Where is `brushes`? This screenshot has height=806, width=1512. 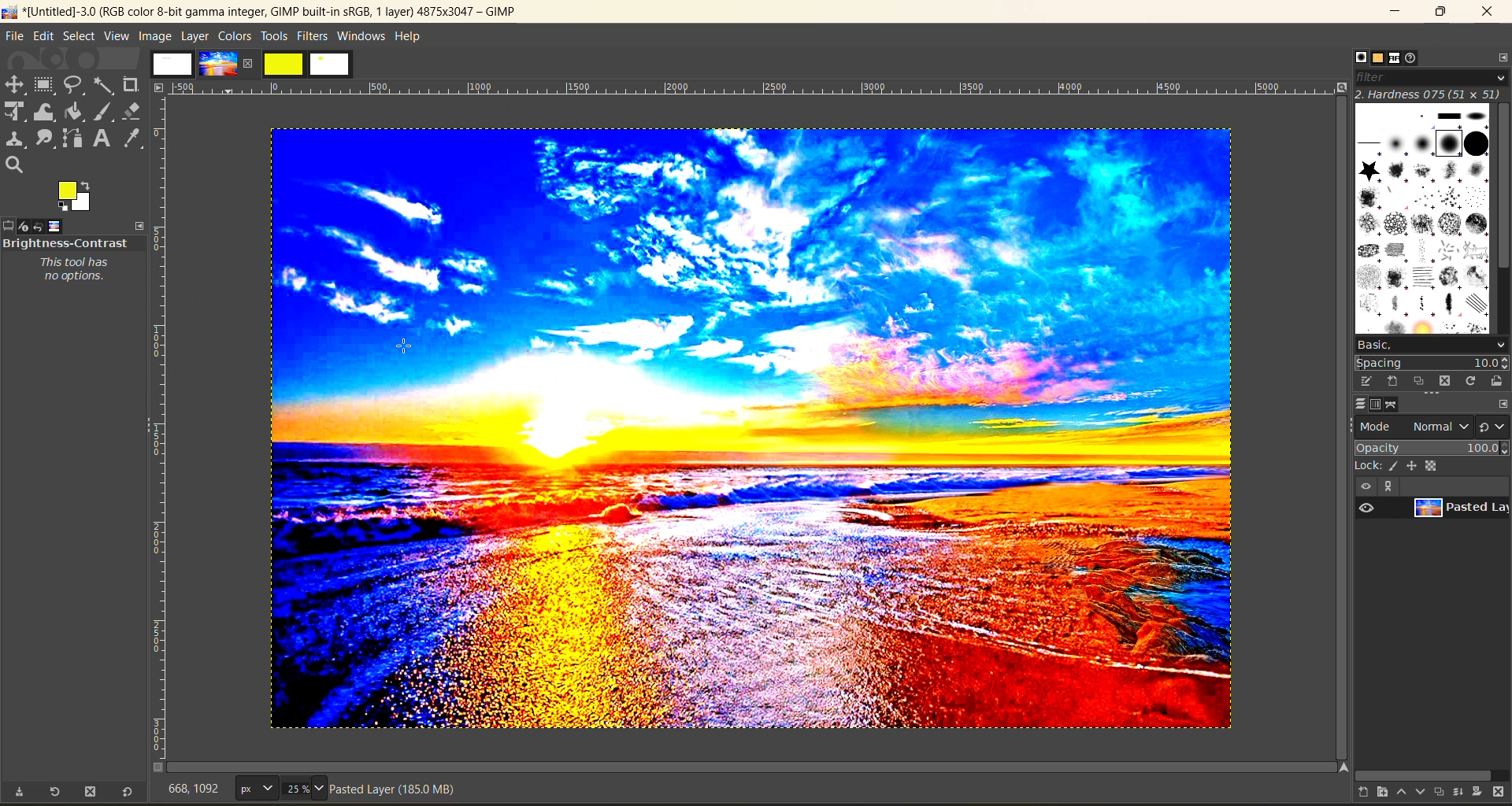
brushes is located at coordinates (1361, 57).